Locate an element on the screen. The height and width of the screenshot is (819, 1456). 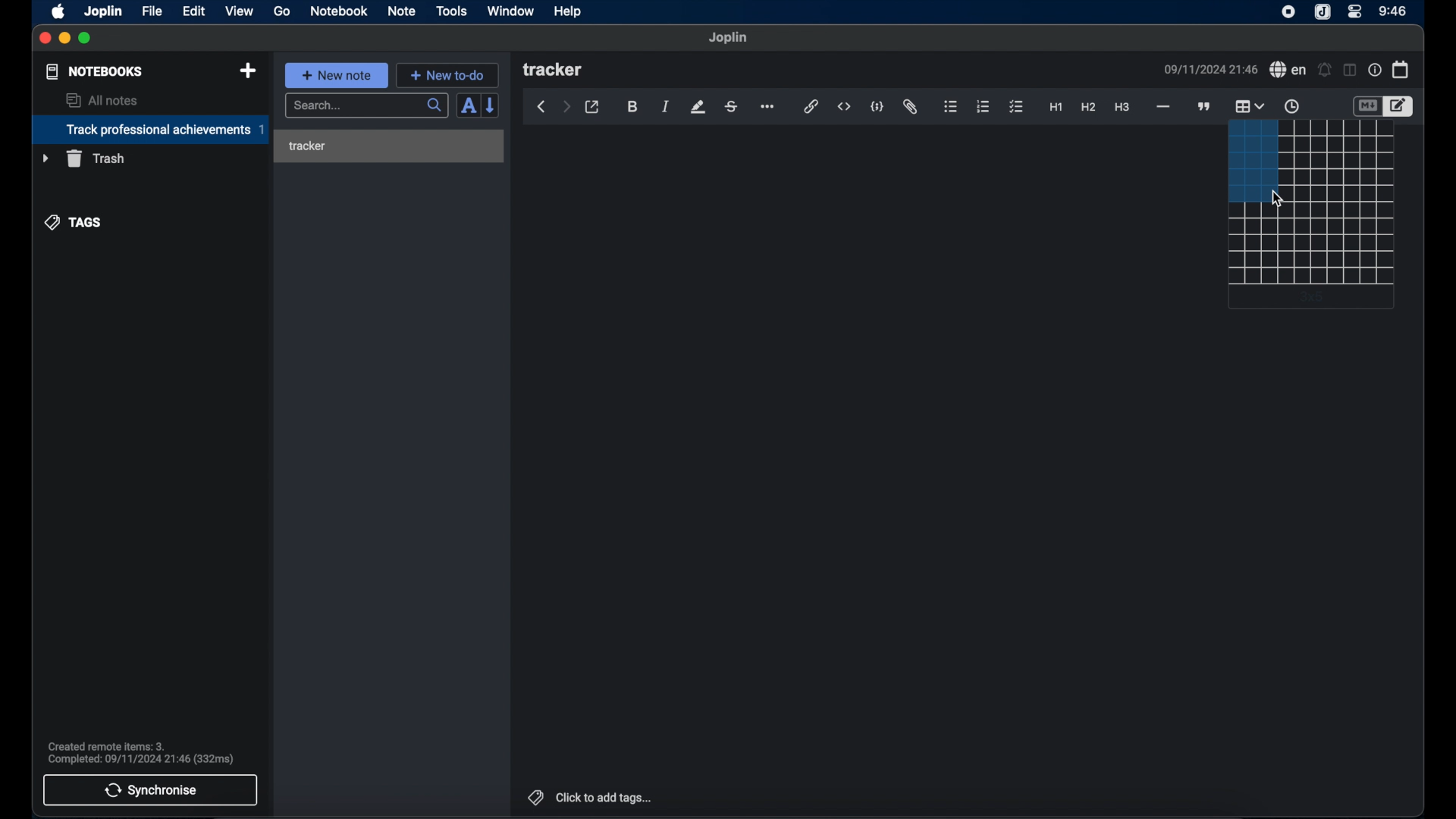
minimize is located at coordinates (65, 39).